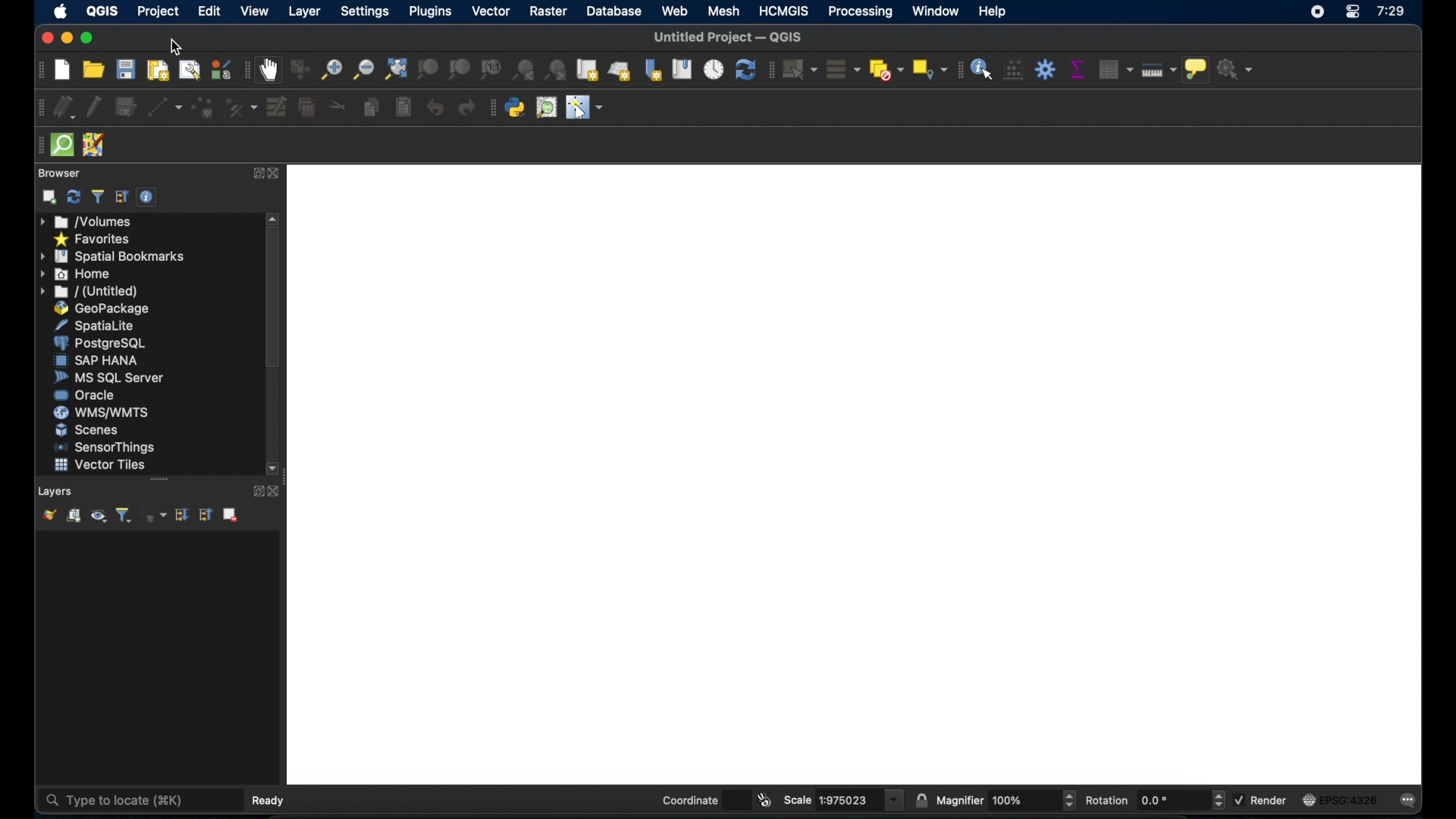 The height and width of the screenshot is (819, 1456). Describe the element at coordinates (90, 37) in the screenshot. I see `maximize` at that location.